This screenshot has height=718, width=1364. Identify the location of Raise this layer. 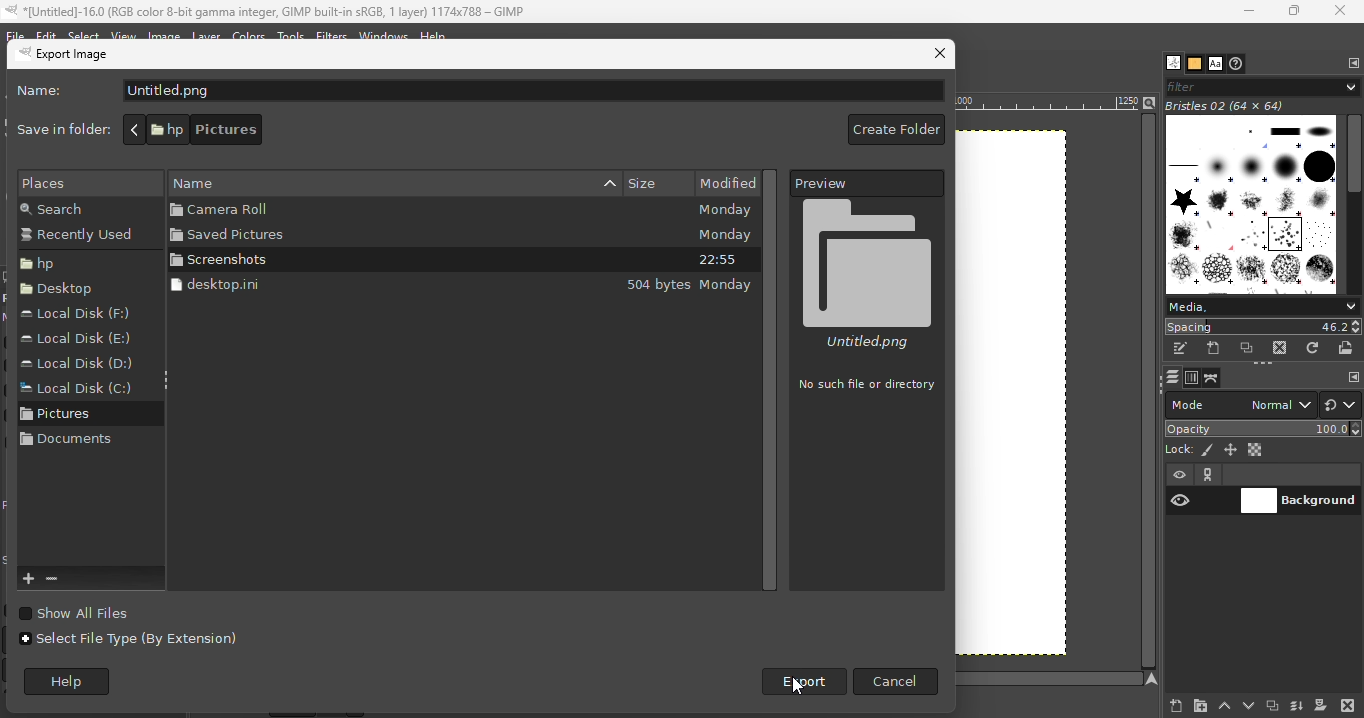
(1223, 704).